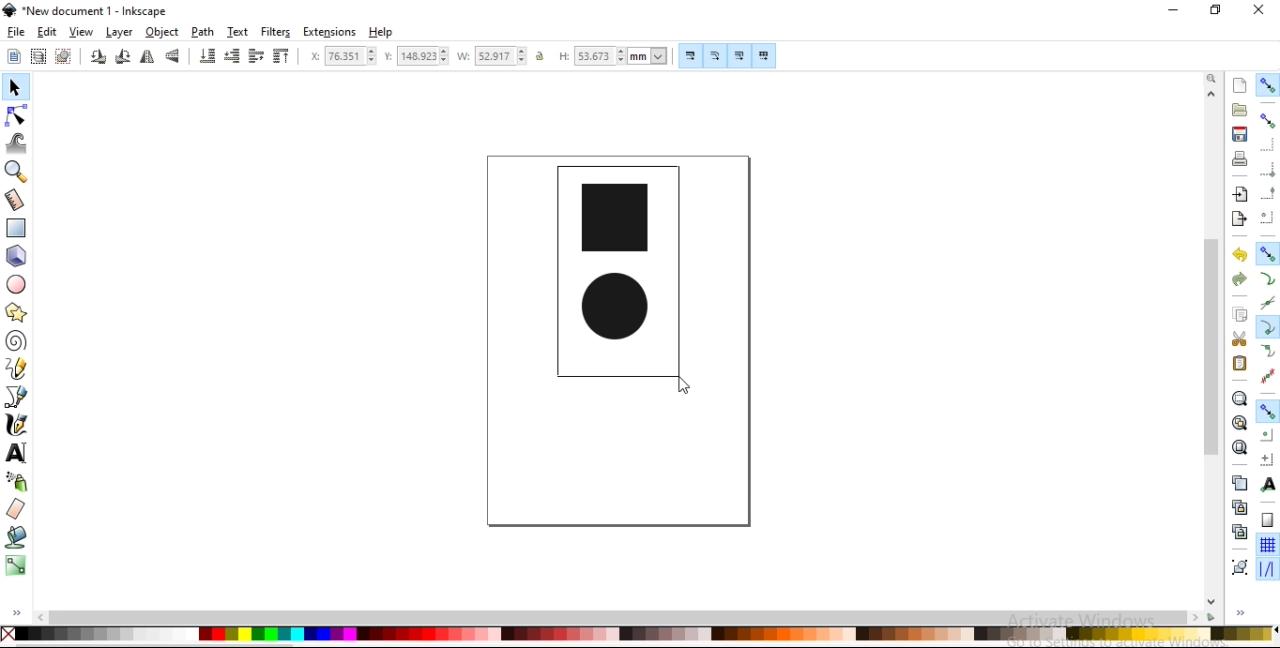 The width and height of the screenshot is (1280, 648). What do you see at coordinates (276, 31) in the screenshot?
I see `filters` at bounding box center [276, 31].